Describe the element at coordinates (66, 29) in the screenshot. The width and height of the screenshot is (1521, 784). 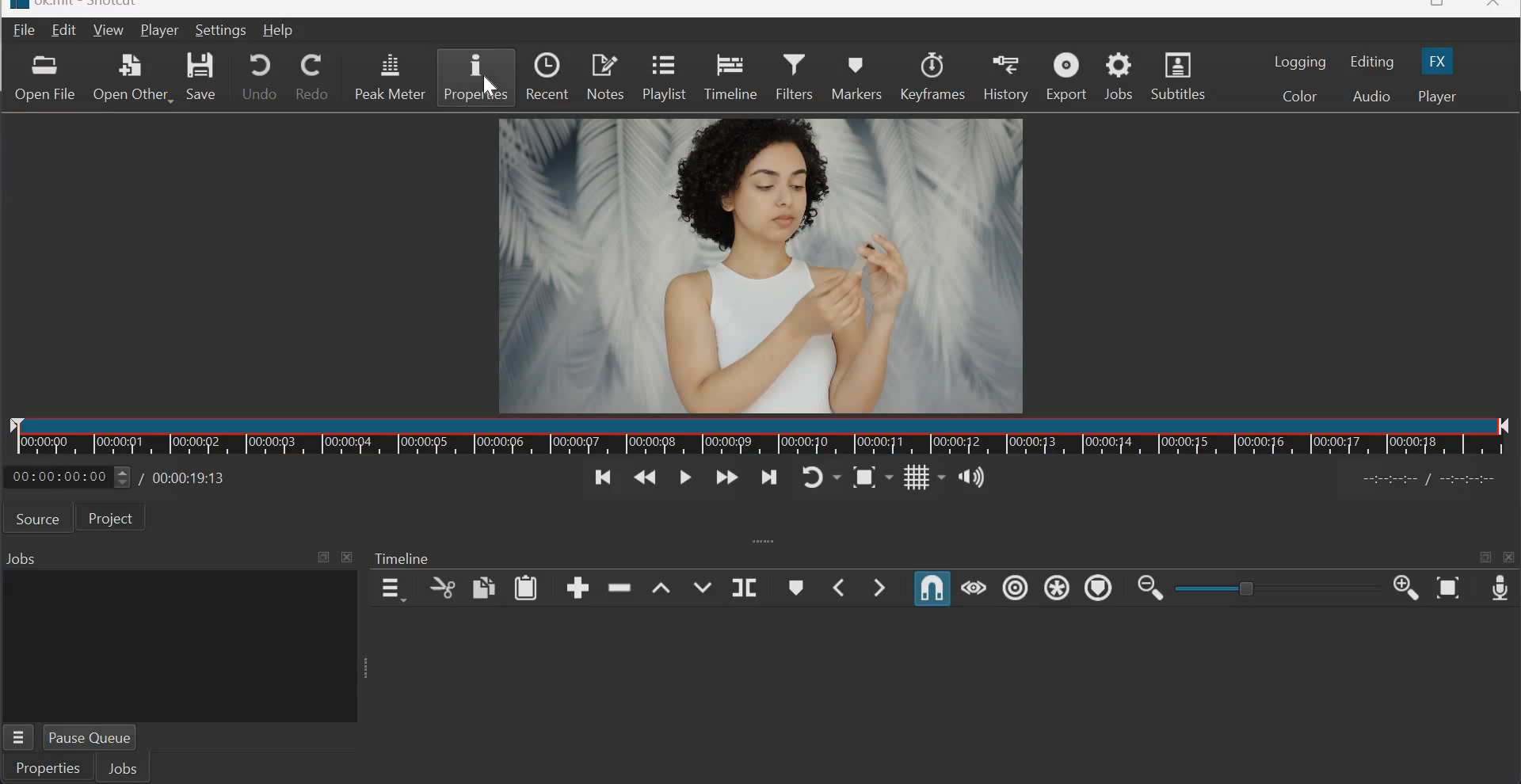
I see `Edit` at that location.